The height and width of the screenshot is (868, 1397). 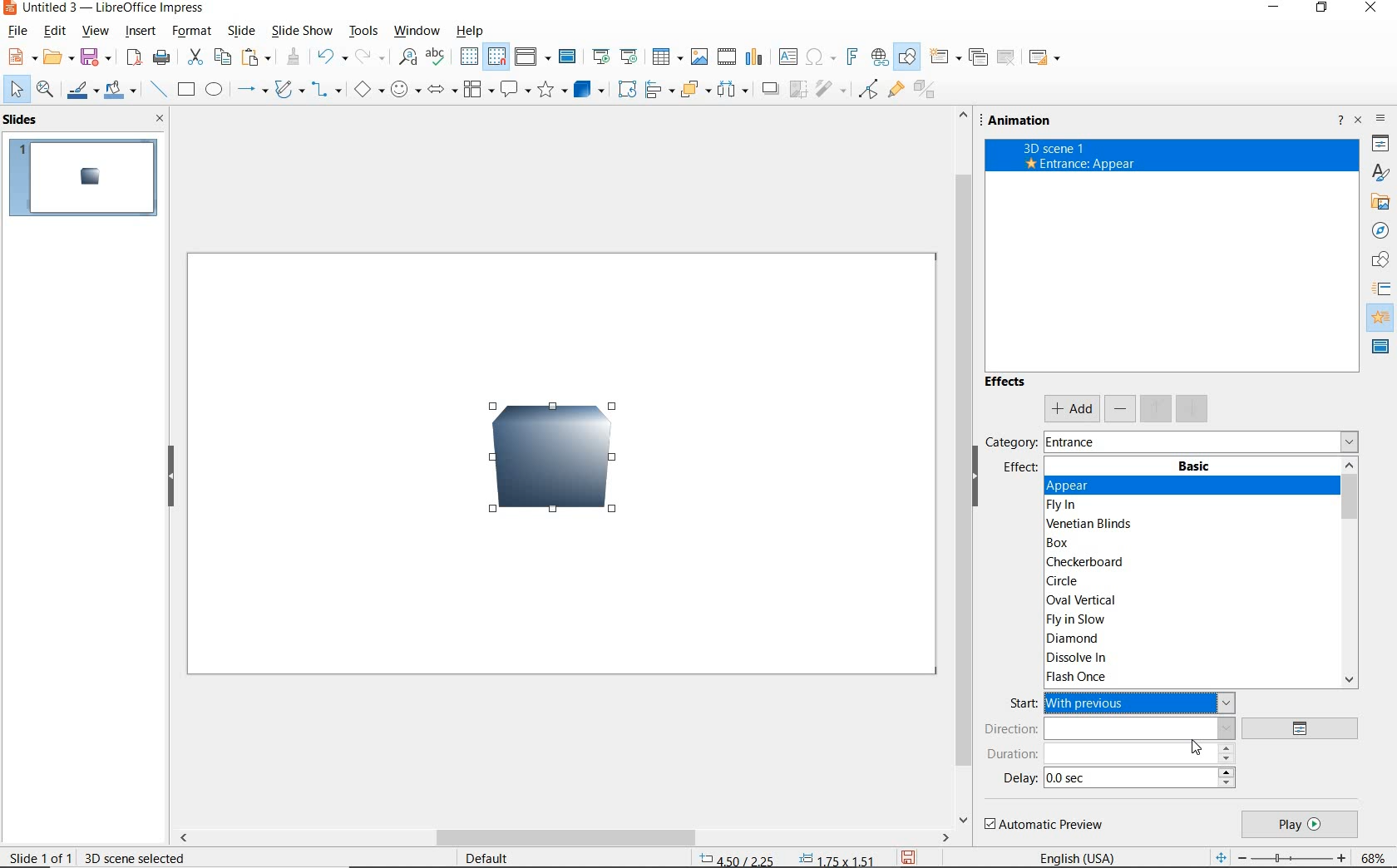 I want to click on VENETIAN BLINDS, so click(x=1091, y=523).